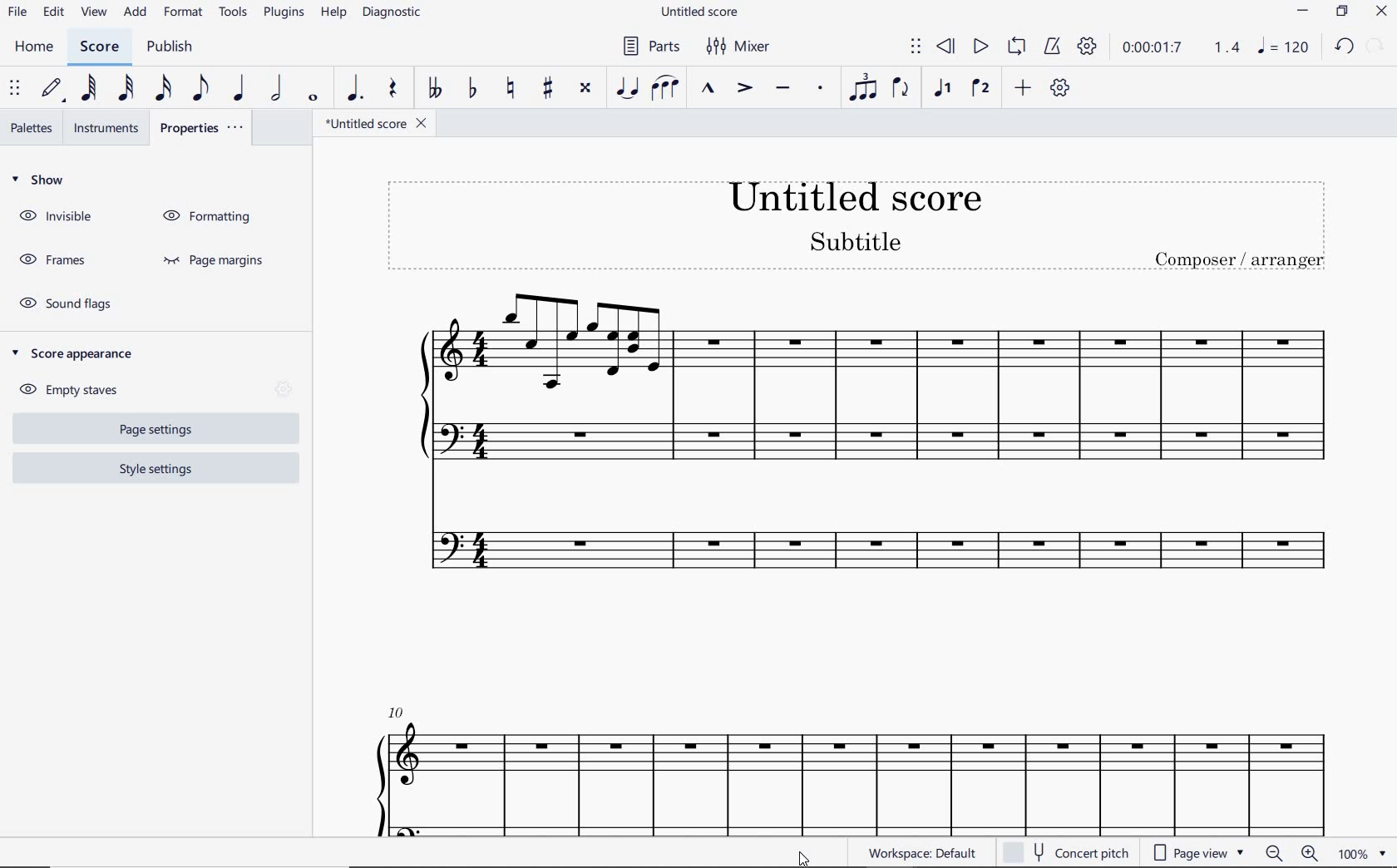  Describe the element at coordinates (393, 14) in the screenshot. I see `DIAGNOSTIC` at that location.